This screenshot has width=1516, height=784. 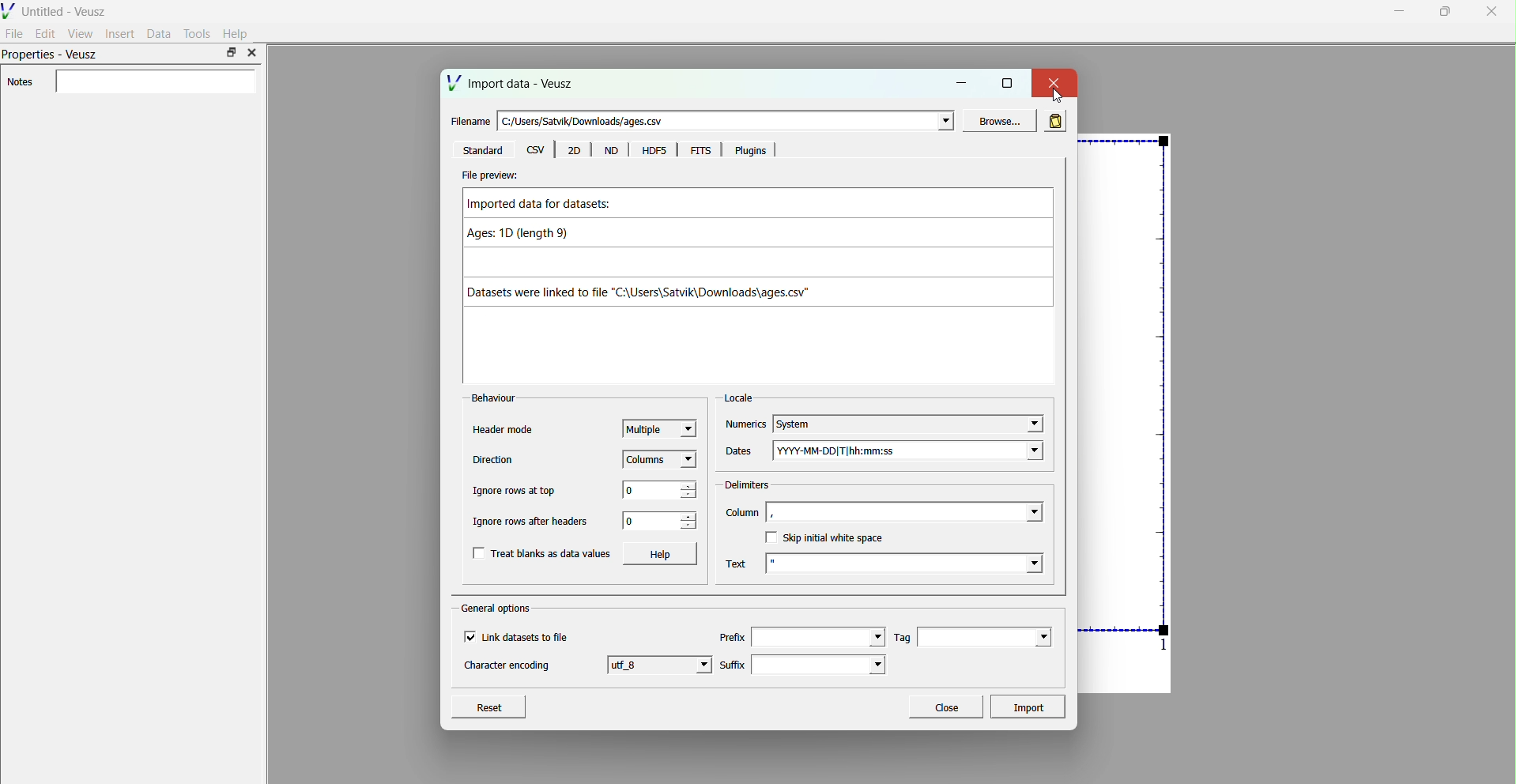 I want to click on Imported data for datasets:, so click(x=548, y=206).